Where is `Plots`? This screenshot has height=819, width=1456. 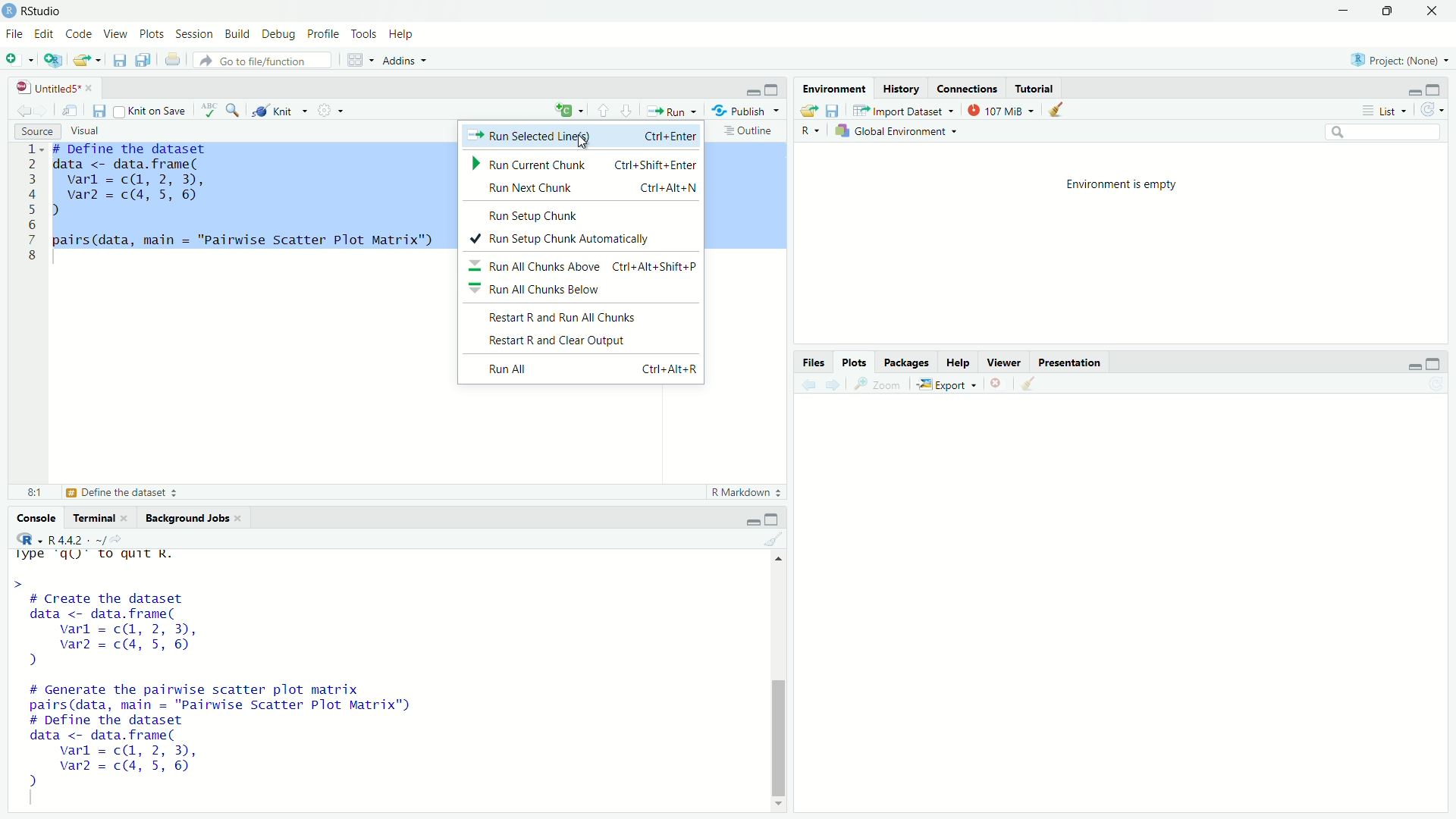 Plots is located at coordinates (855, 362).